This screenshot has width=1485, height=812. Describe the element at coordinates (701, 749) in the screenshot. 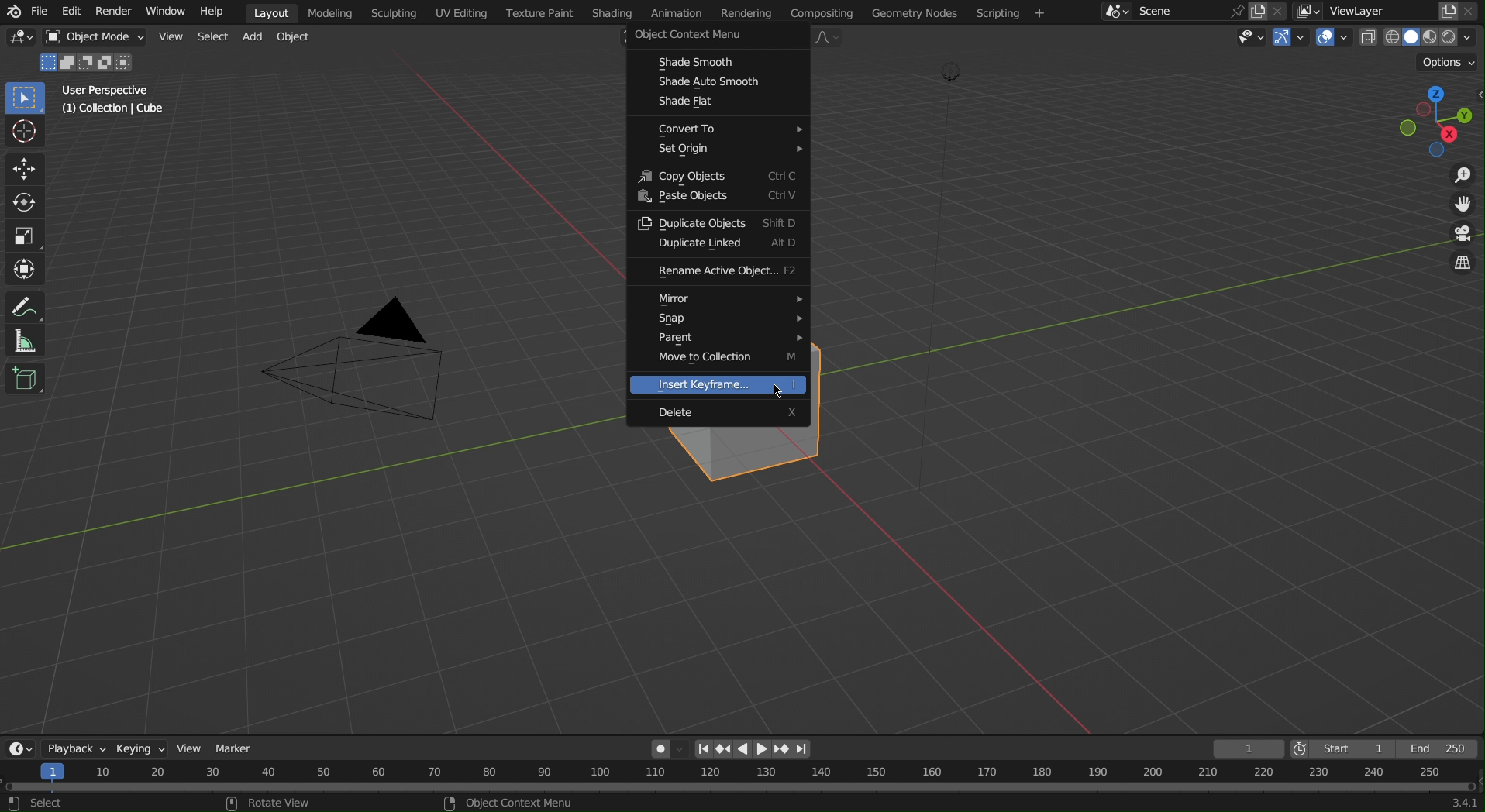

I see `First page` at that location.